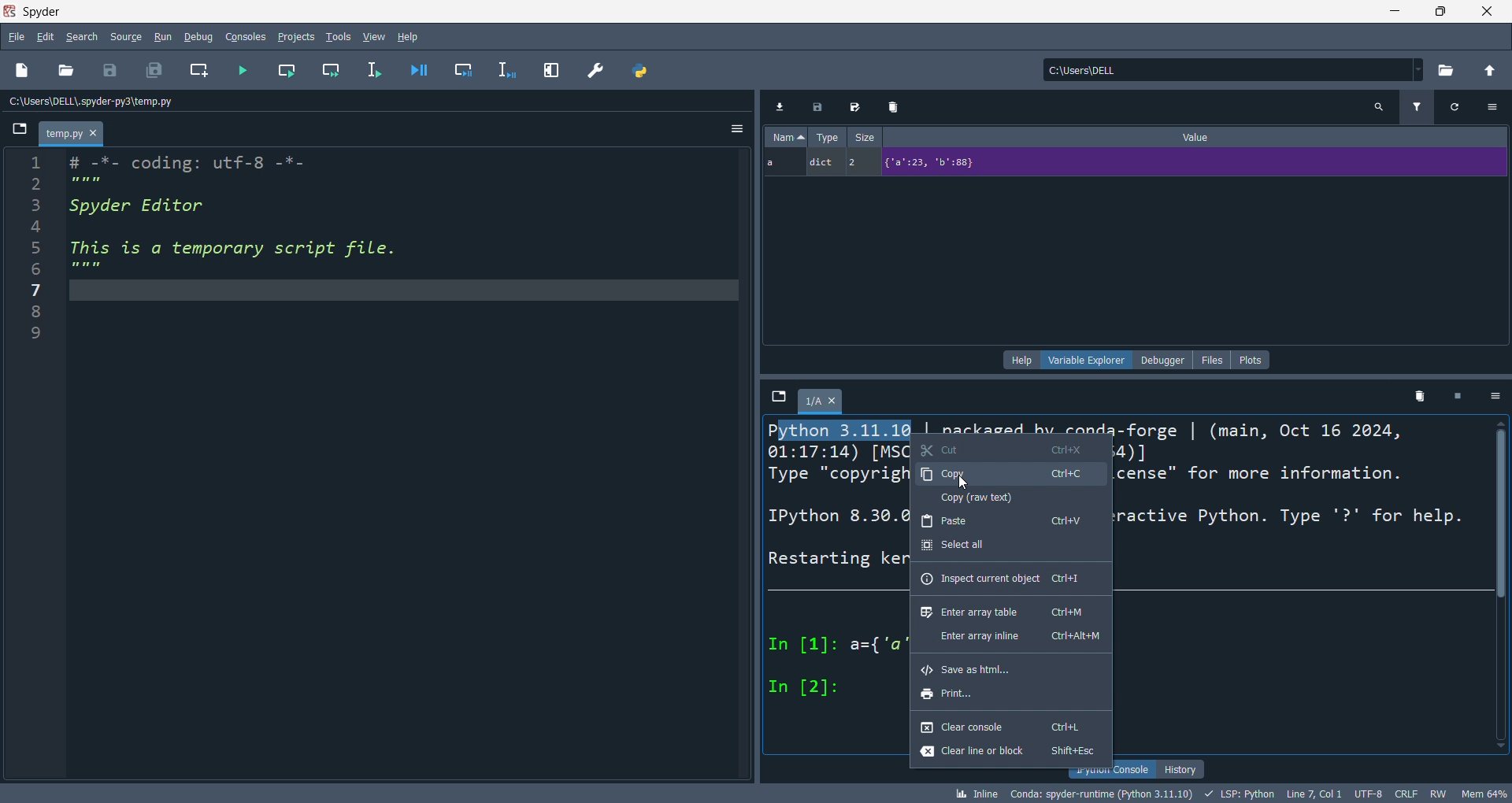 The height and width of the screenshot is (803, 1512). What do you see at coordinates (46, 10) in the screenshot?
I see `spyder` at bounding box center [46, 10].